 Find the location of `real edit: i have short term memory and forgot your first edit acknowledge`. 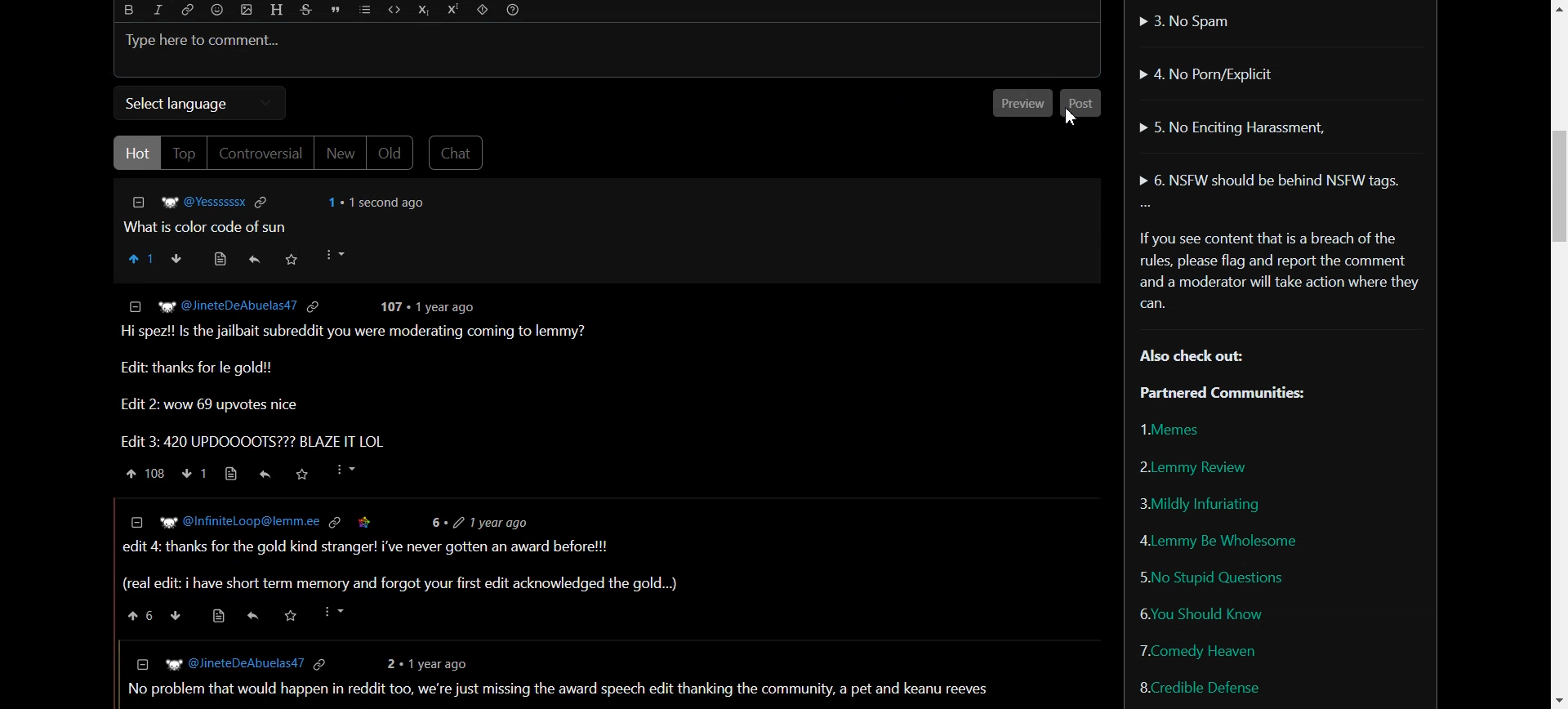

real edit: i have short term memory and forgot your first edit acknowledge is located at coordinates (402, 586).